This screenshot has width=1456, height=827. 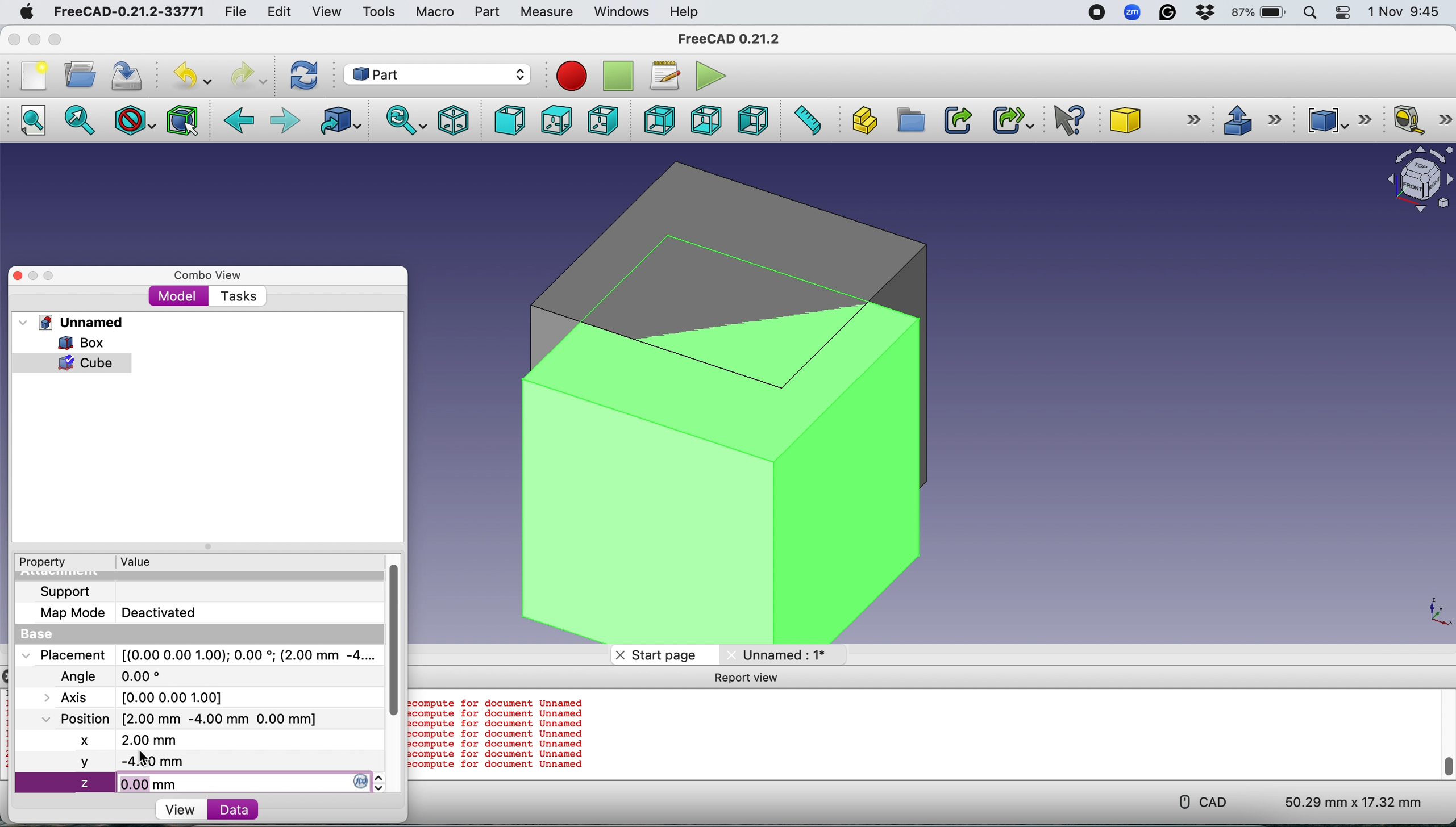 What do you see at coordinates (143, 697) in the screenshot?
I see `Axis [0.00 0.00 1.00]` at bounding box center [143, 697].